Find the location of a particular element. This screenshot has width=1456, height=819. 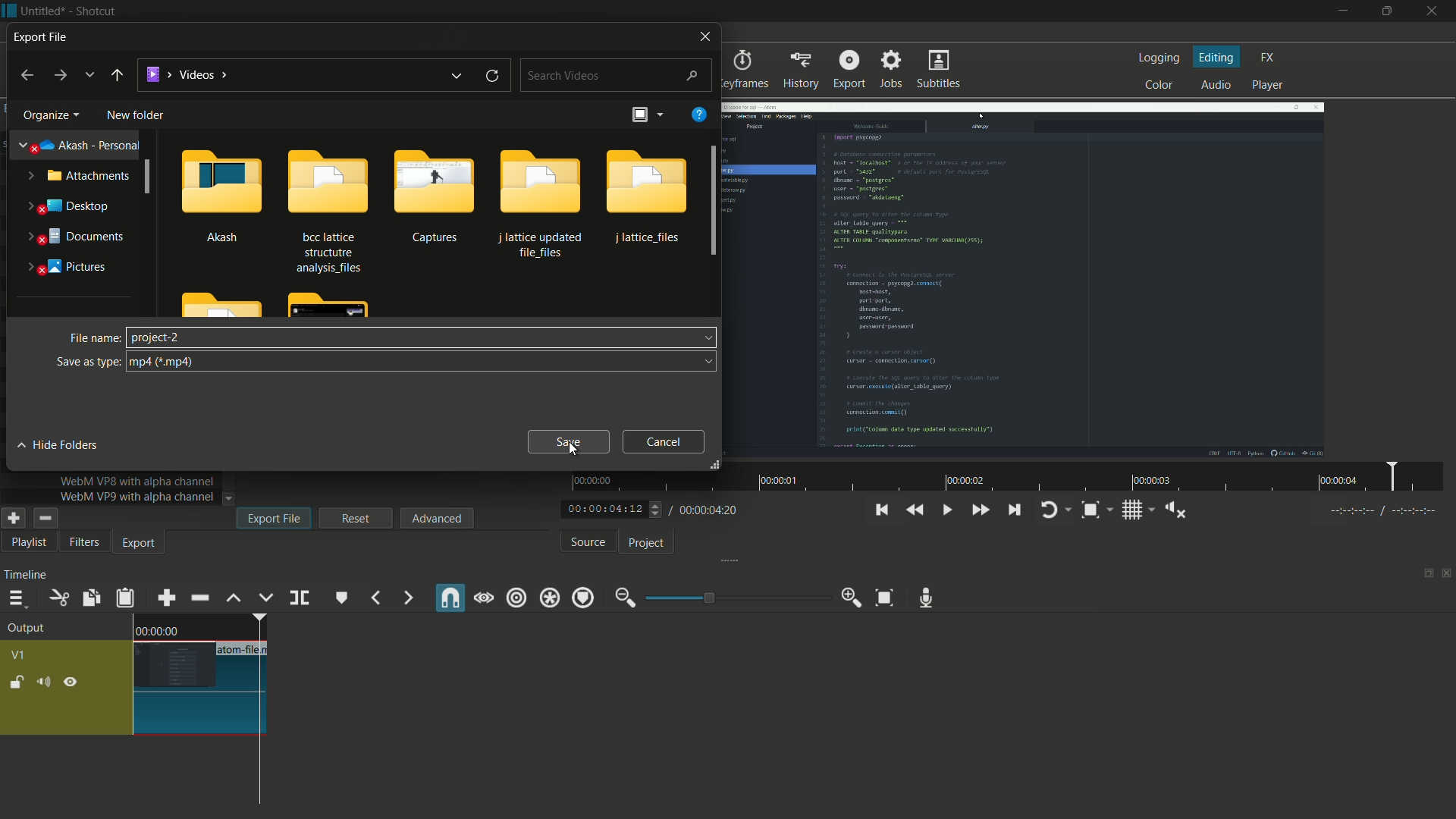

add current preet is located at coordinates (13, 518).